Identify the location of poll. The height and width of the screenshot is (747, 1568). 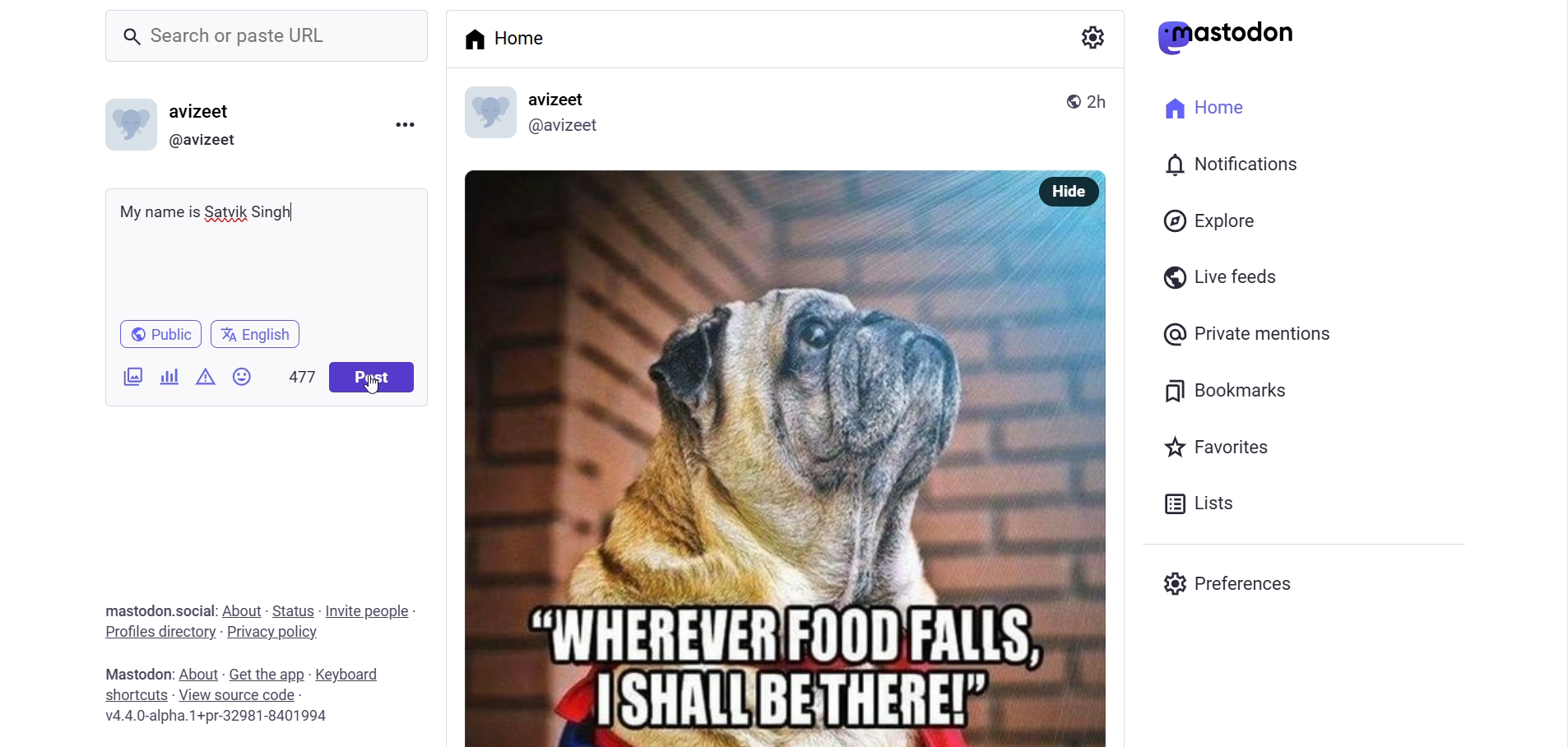
(166, 378).